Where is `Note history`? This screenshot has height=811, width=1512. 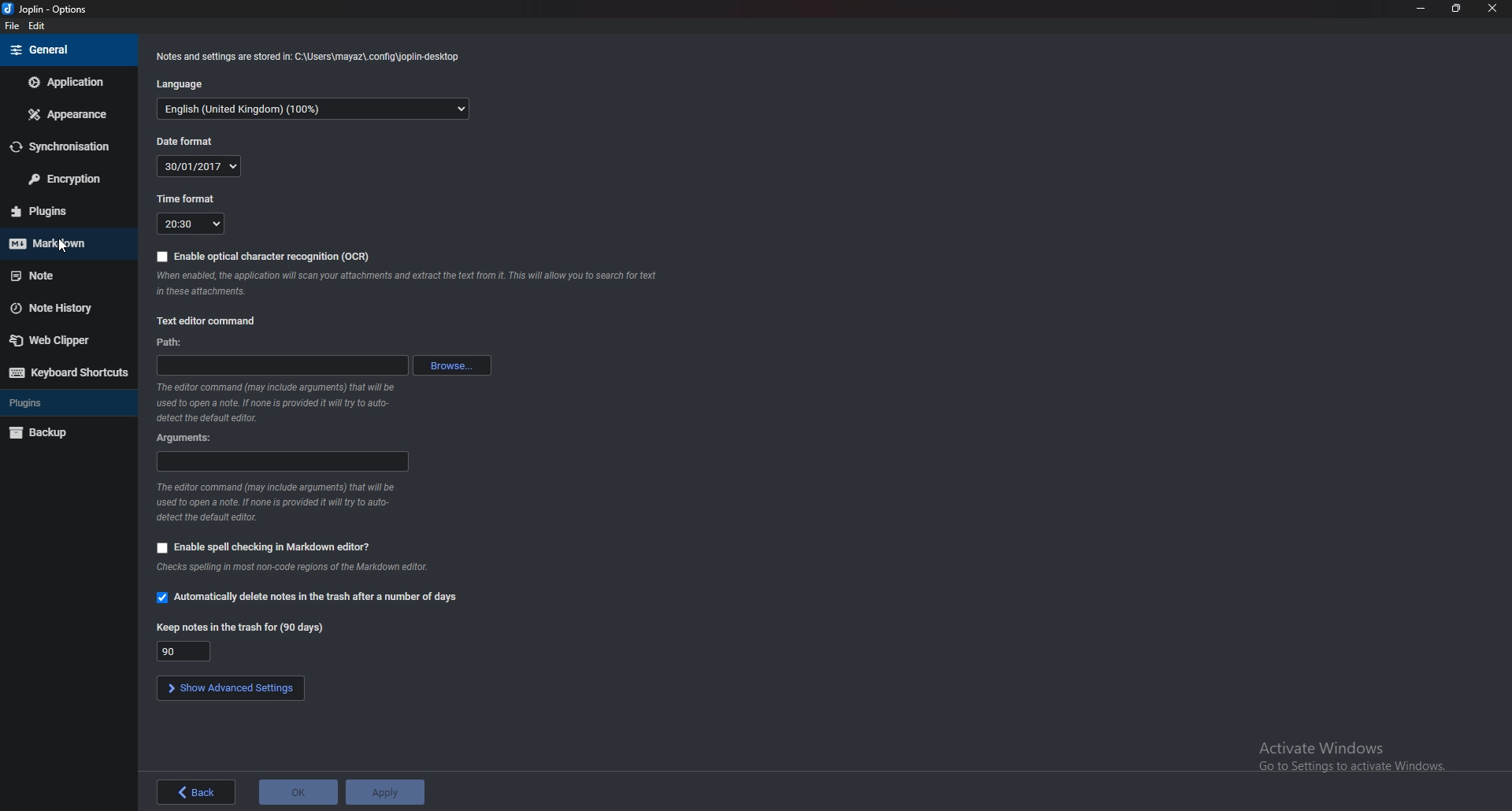
Note history is located at coordinates (61, 308).